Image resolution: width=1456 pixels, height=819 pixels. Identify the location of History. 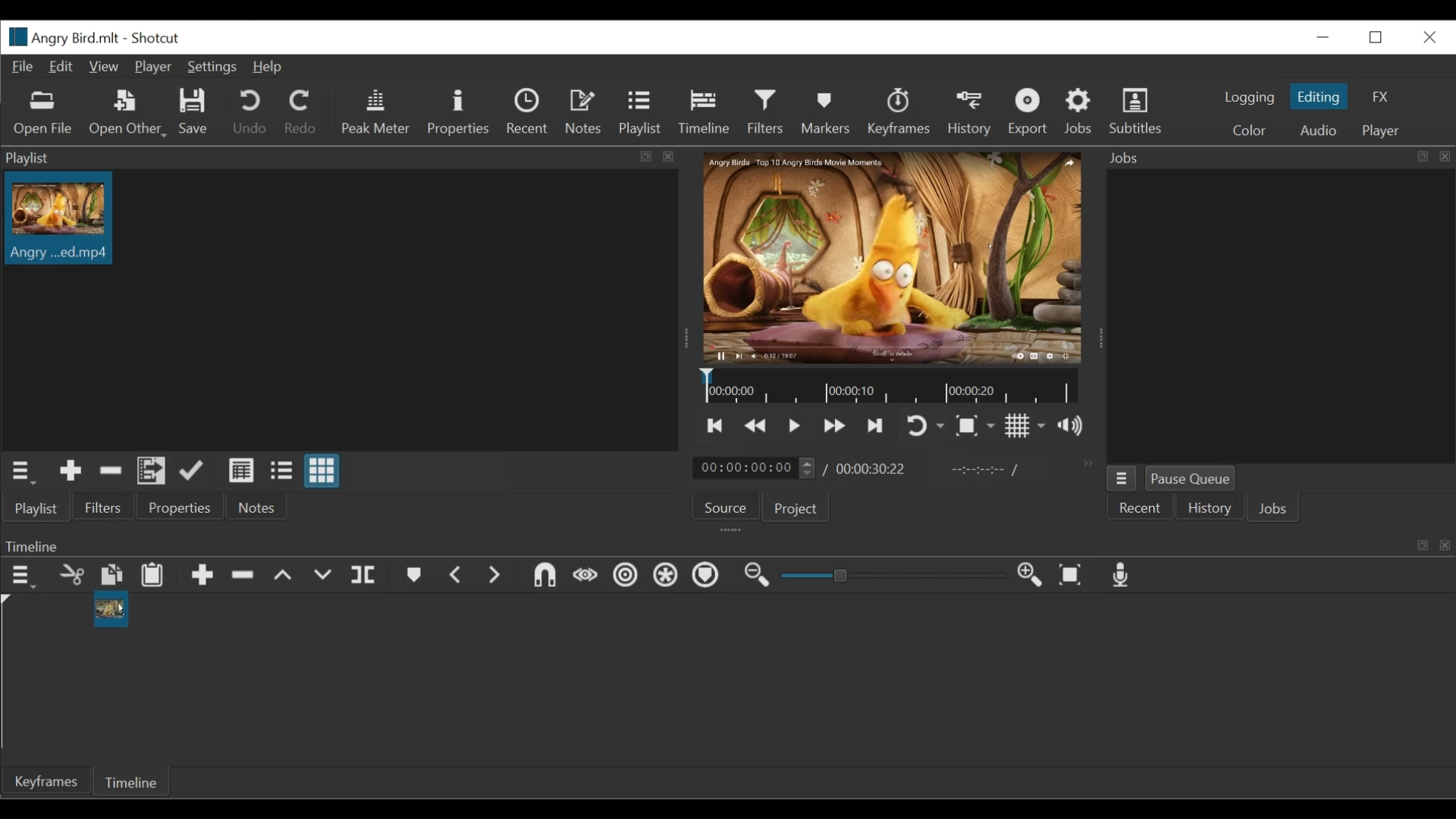
(1210, 510).